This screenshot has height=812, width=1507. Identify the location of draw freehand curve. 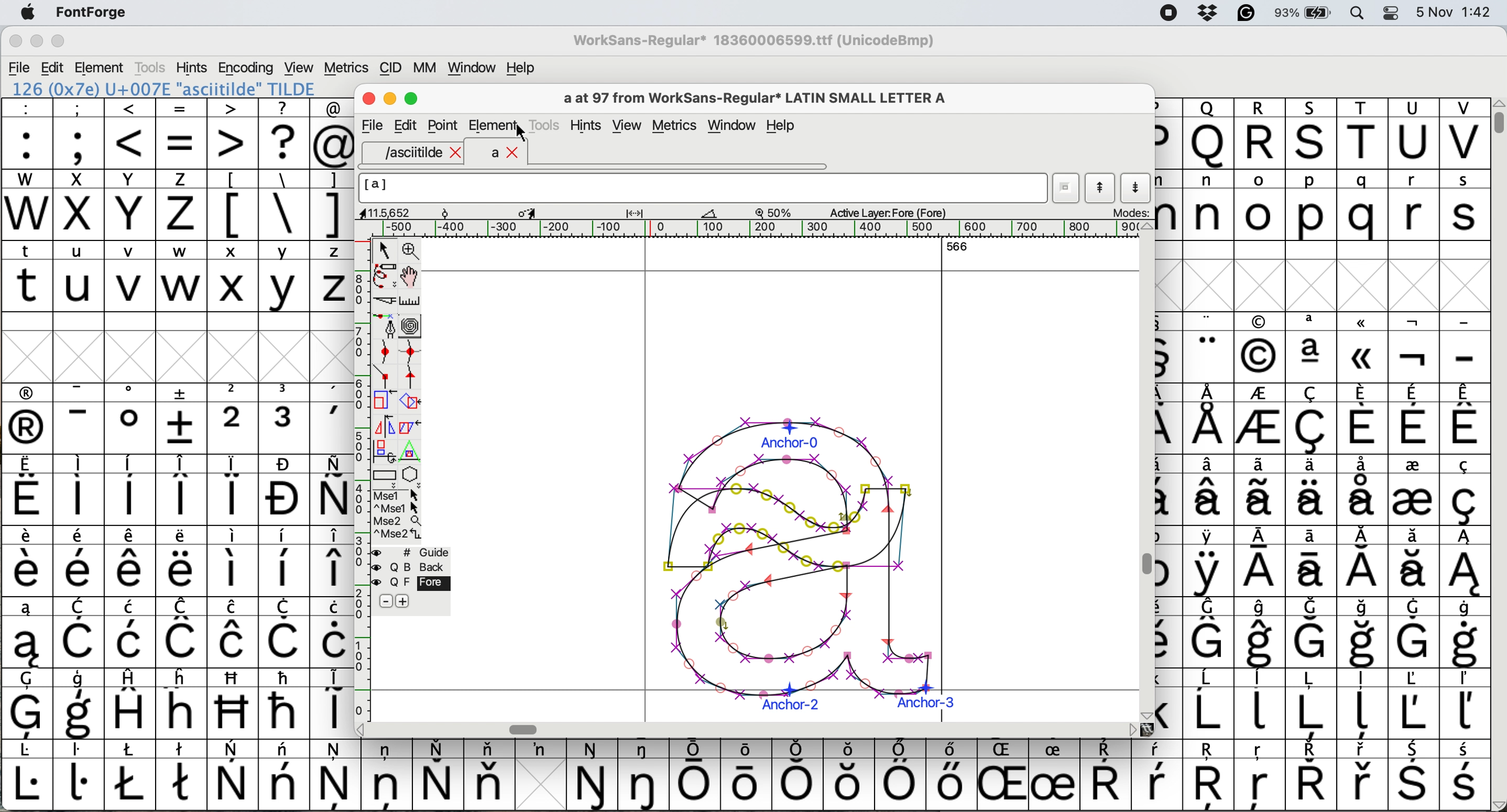
(384, 276).